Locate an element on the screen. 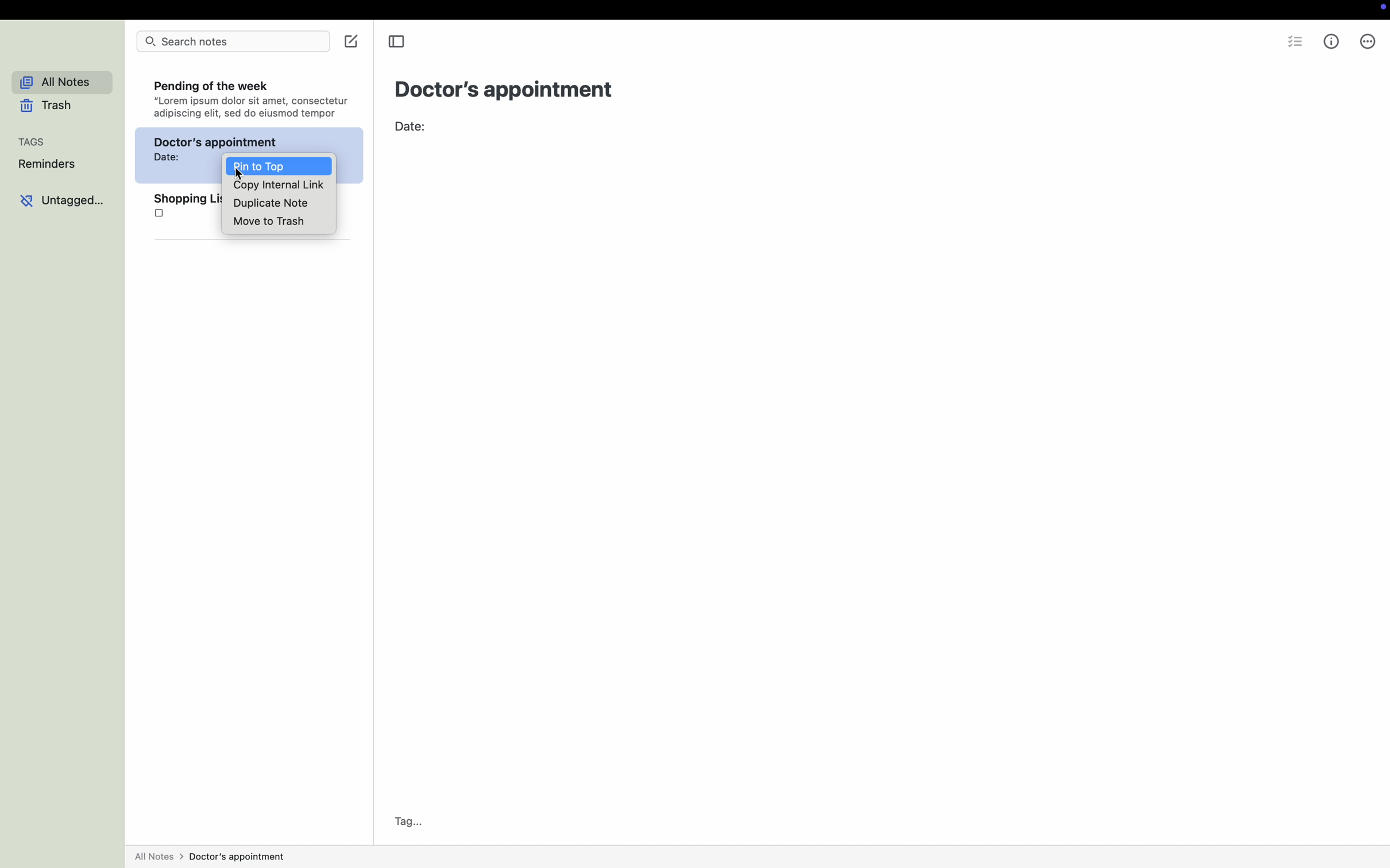 This screenshot has height=868, width=1390. toggle sidebar is located at coordinates (398, 41).